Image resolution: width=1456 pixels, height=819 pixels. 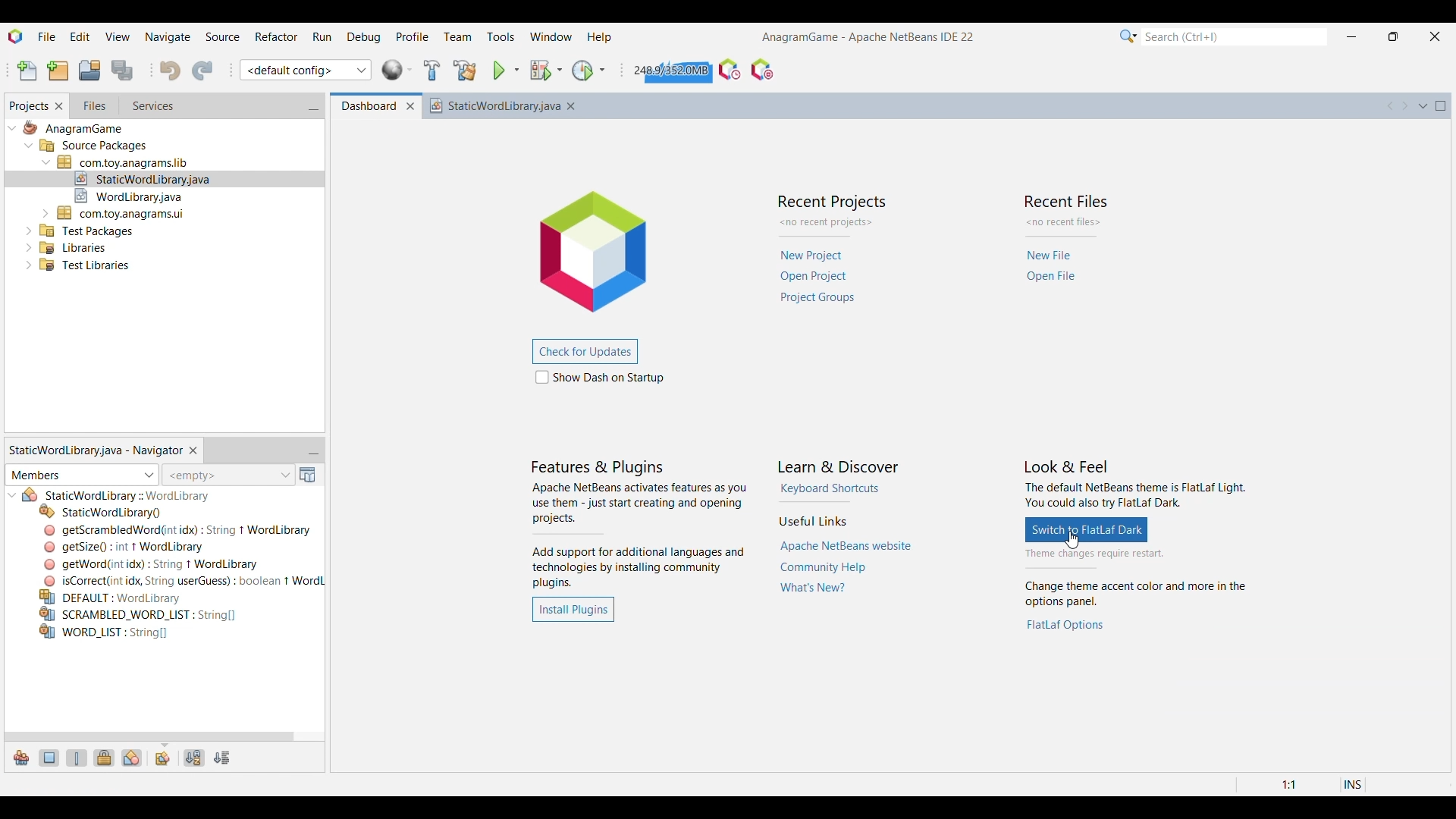 I want to click on Recent Projects, so click(x=830, y=202).